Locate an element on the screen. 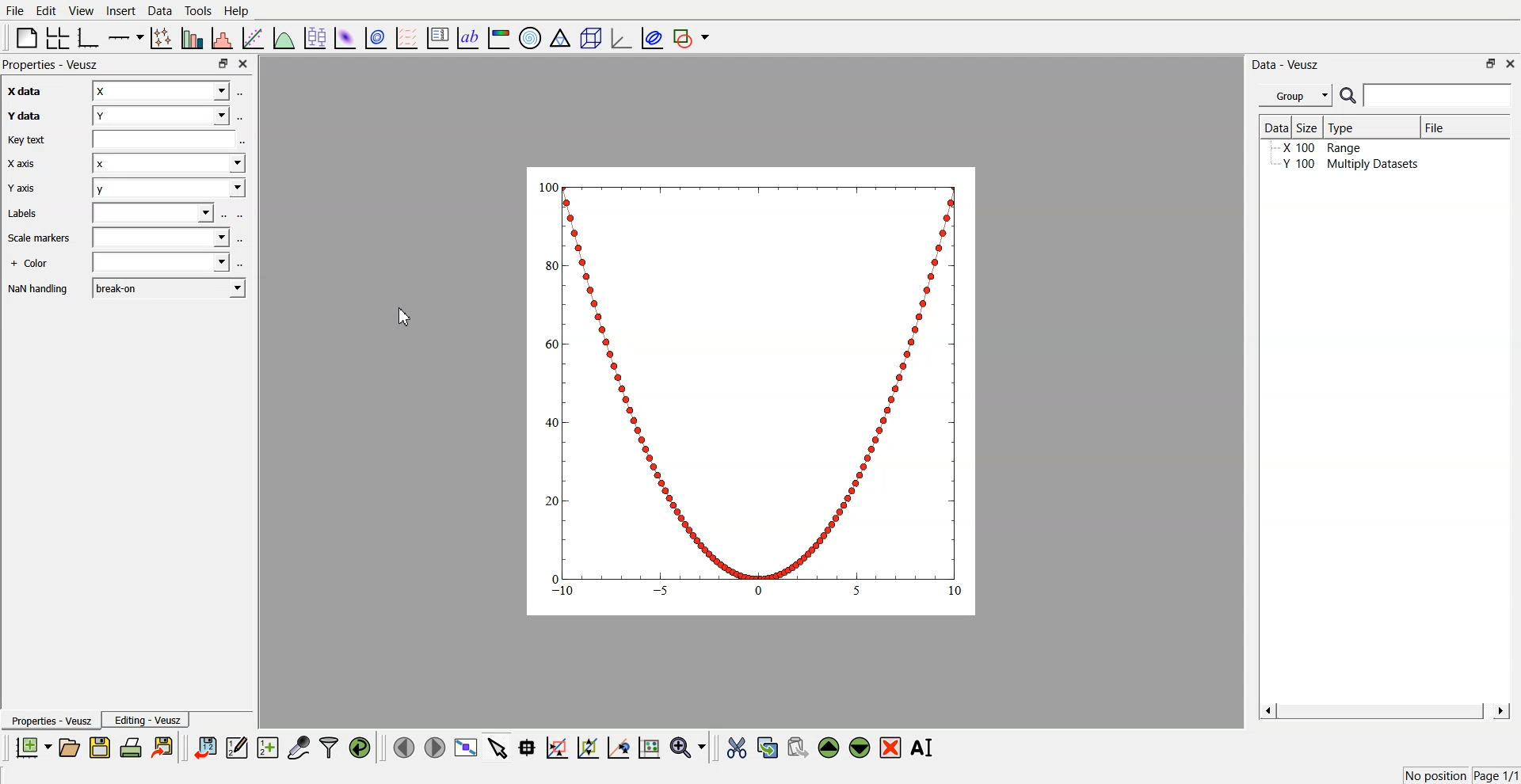 The height and width of the screenshot is (784, 1521). new documents is located at coordinates (31, 747).